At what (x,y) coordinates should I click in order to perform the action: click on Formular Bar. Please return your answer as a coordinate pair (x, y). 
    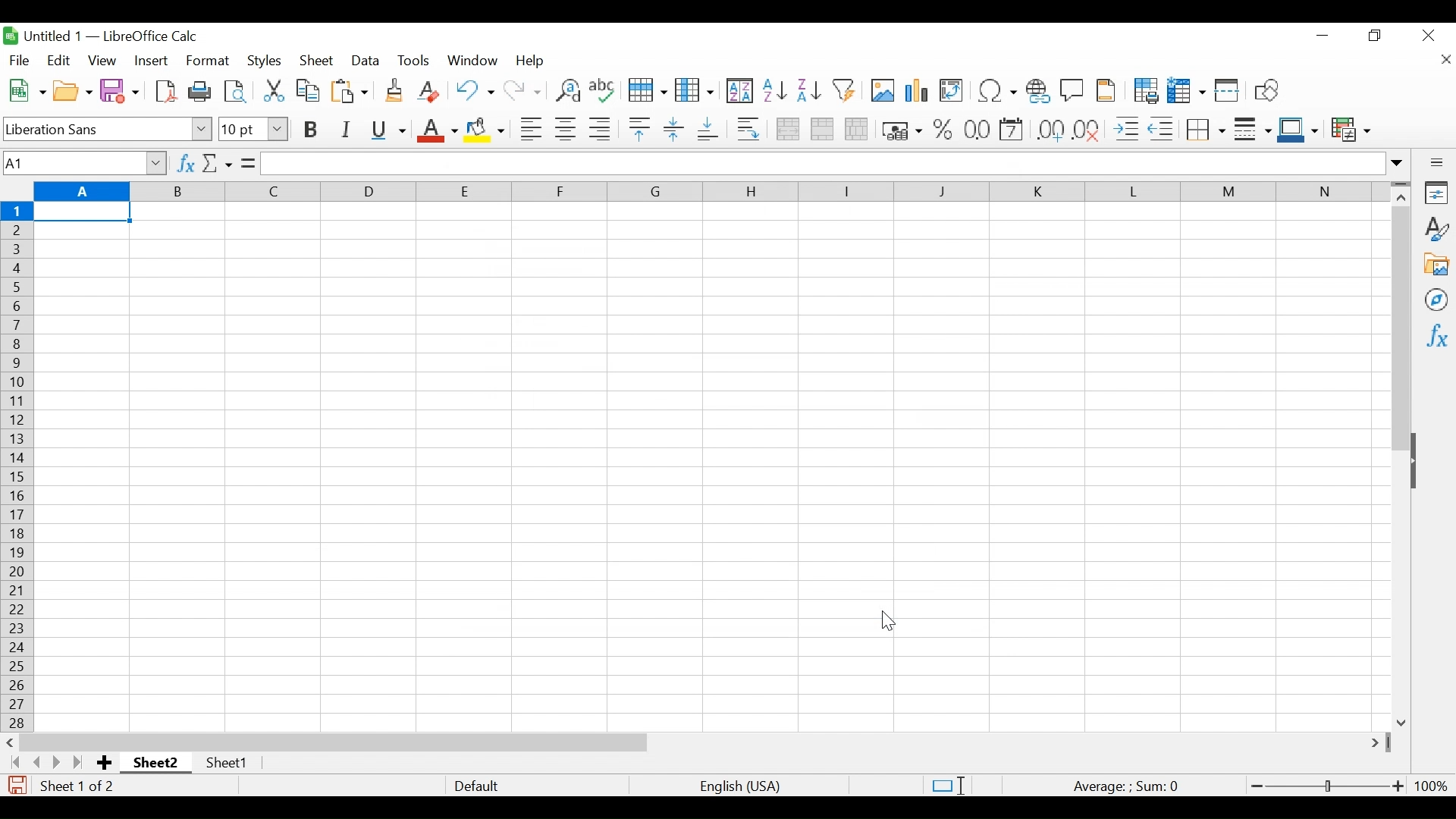
    Looking at the image, I should click on (835, 165).